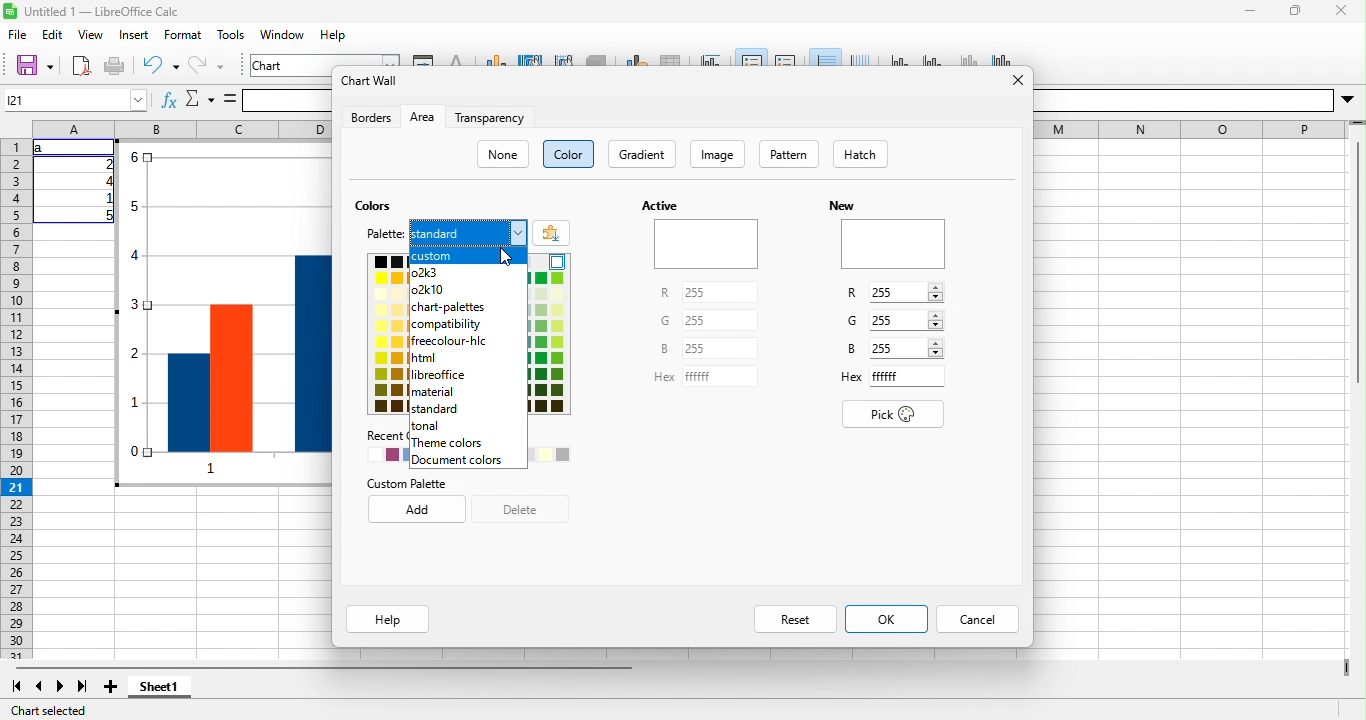  What do you see at coordinates (469, 459) in the screenshot?
I see `document colors` at bounding box center [469, 459].